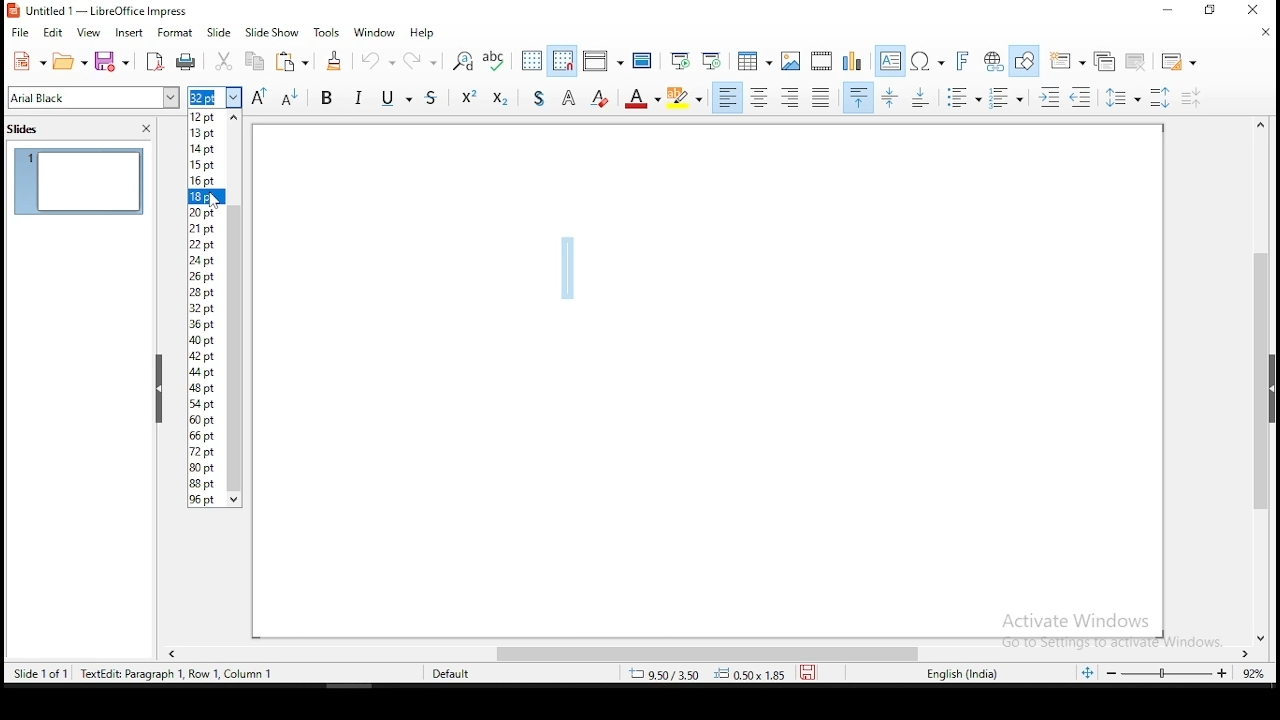  What do you see at coordinates (533, 61) in the screenshot?
I see `display grid` at bounding box center [533, 61].